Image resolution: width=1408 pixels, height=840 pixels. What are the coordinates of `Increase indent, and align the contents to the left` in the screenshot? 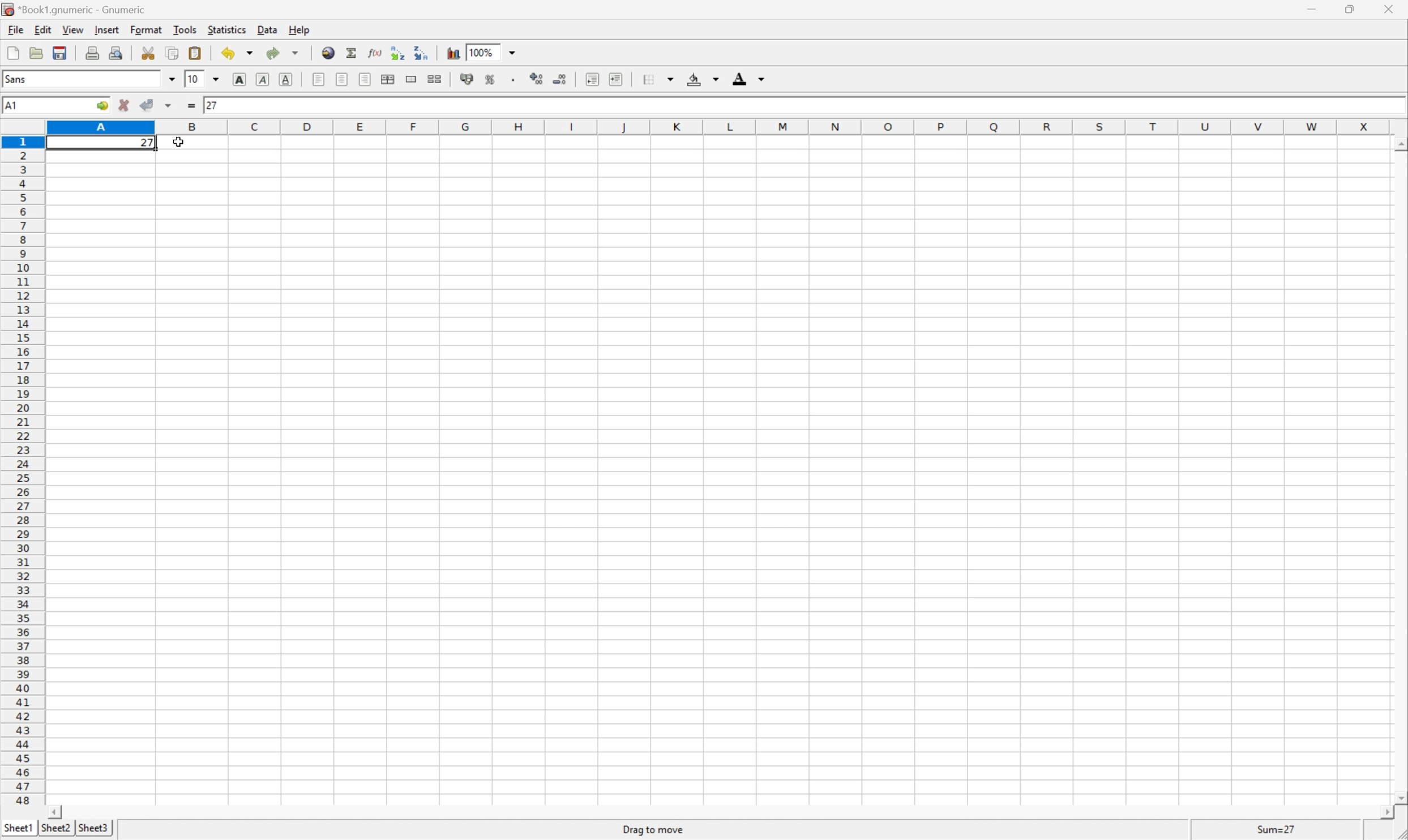 It's located at (615, 78).